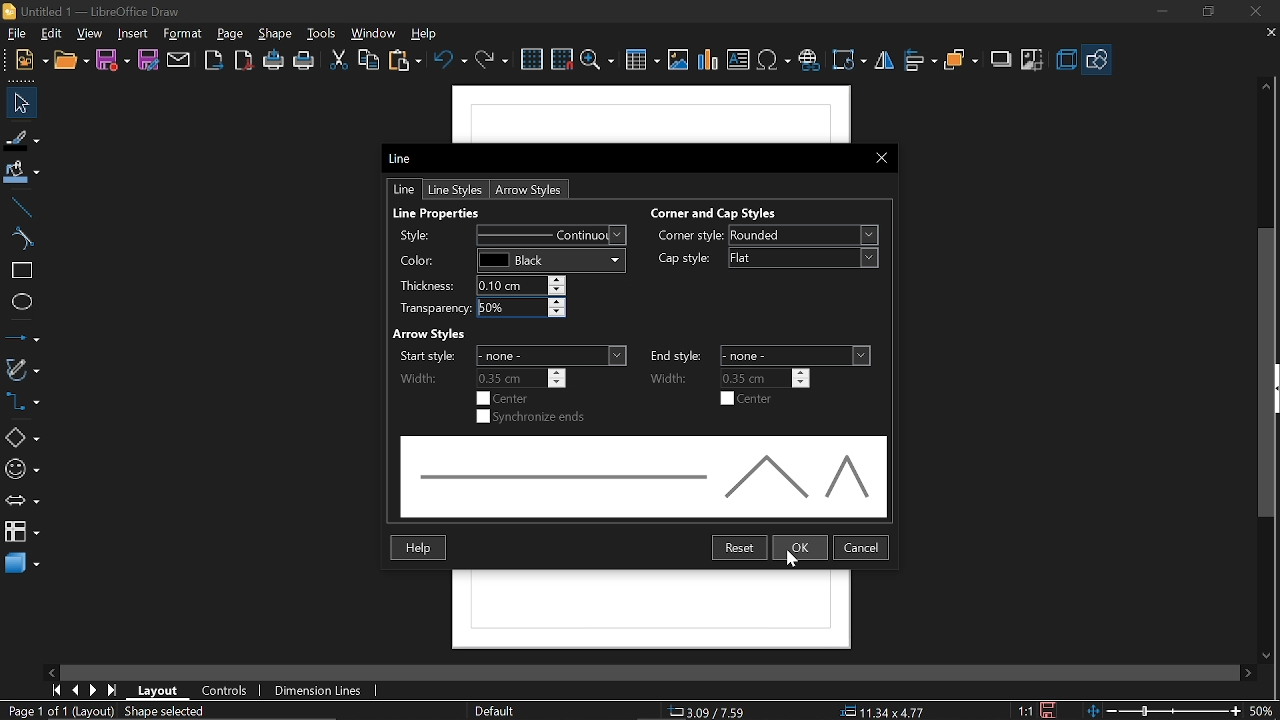 The height and width of the screenshot is (720, 1280). I want to click on layout, so click(161, 691).